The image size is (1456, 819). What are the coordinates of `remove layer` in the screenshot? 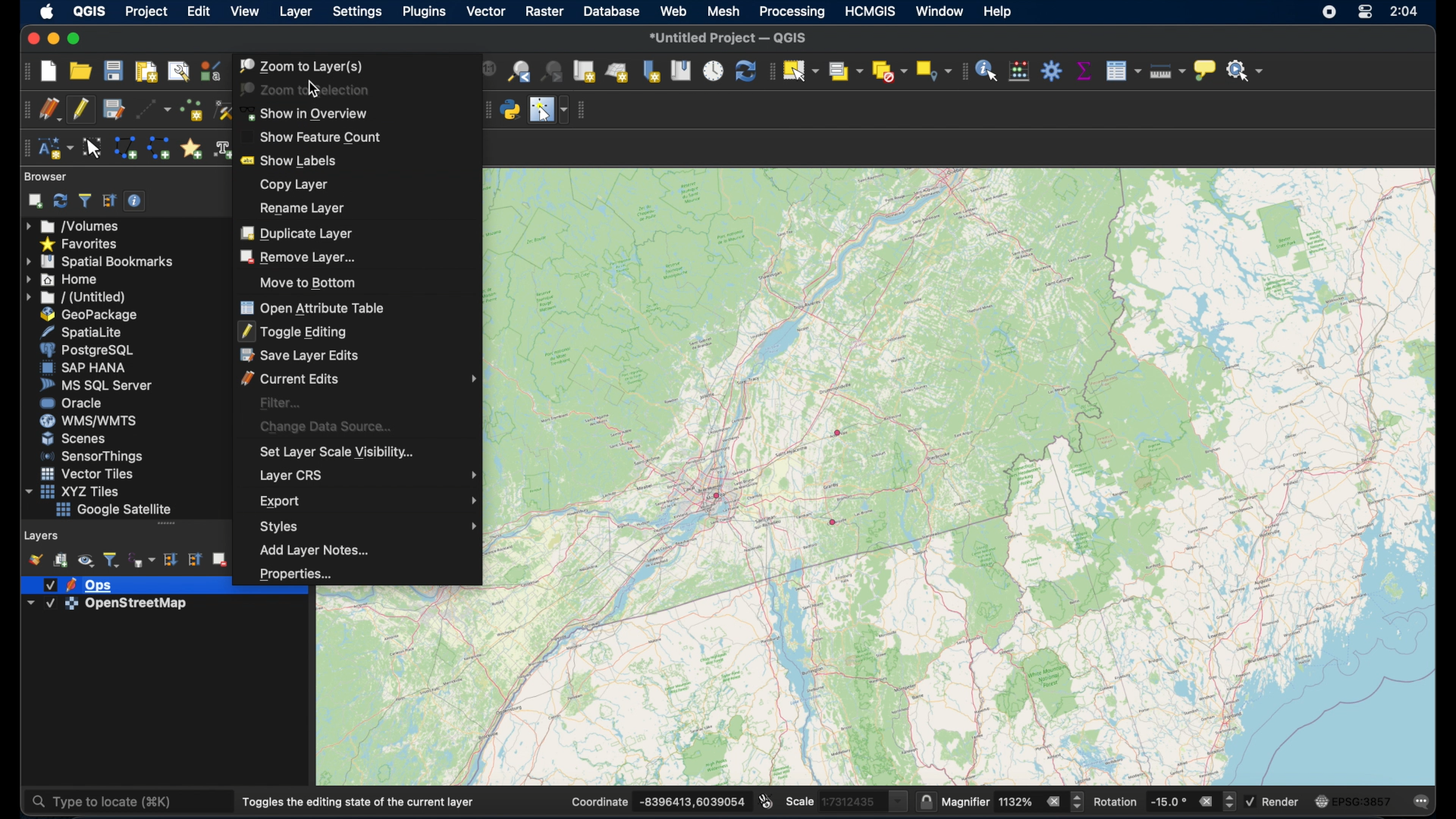 It's located at (298, 256).